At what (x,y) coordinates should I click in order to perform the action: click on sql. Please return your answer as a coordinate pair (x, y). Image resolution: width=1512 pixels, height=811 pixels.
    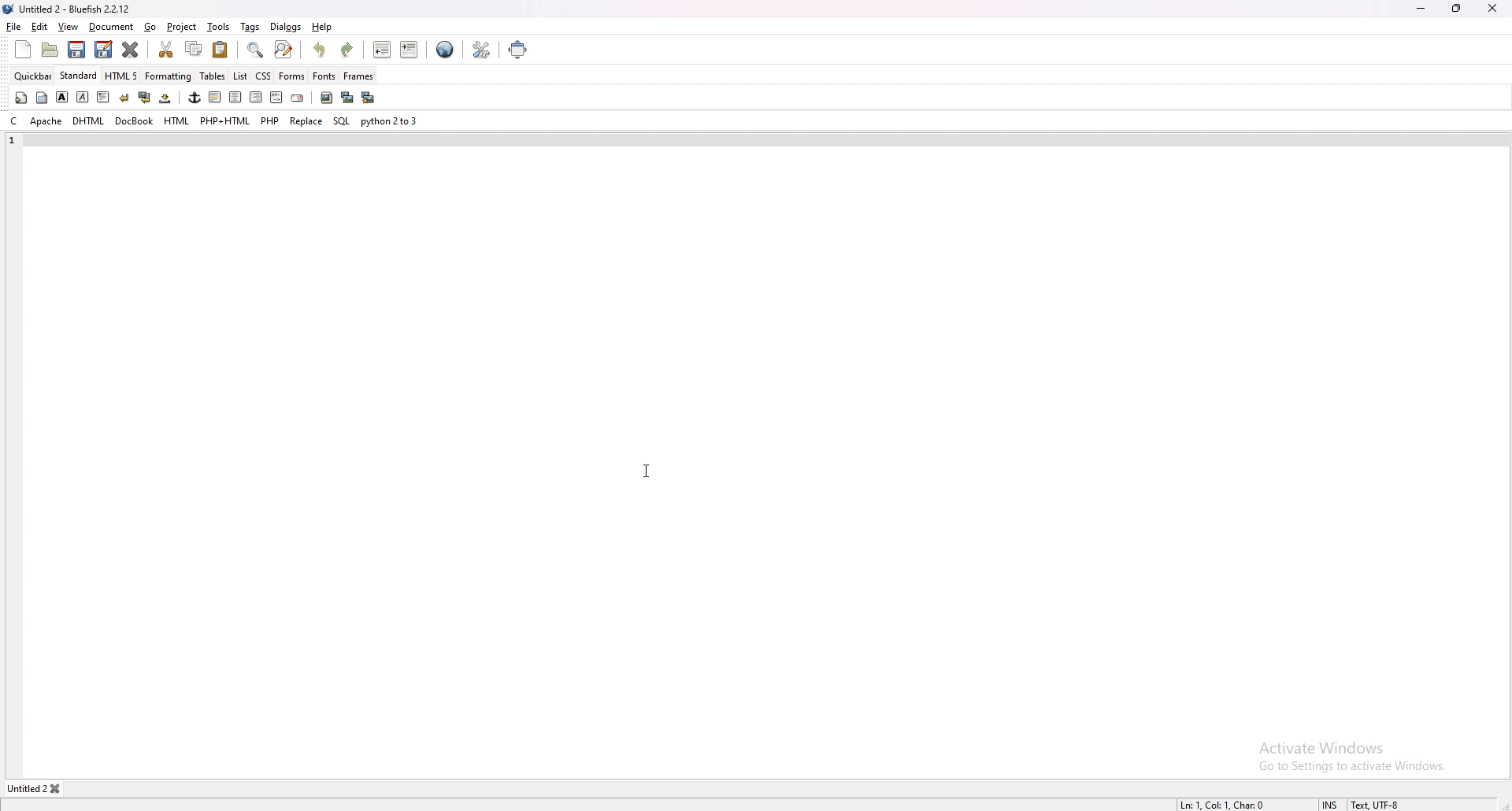
    Looking at the image, I should click on (341, 120).